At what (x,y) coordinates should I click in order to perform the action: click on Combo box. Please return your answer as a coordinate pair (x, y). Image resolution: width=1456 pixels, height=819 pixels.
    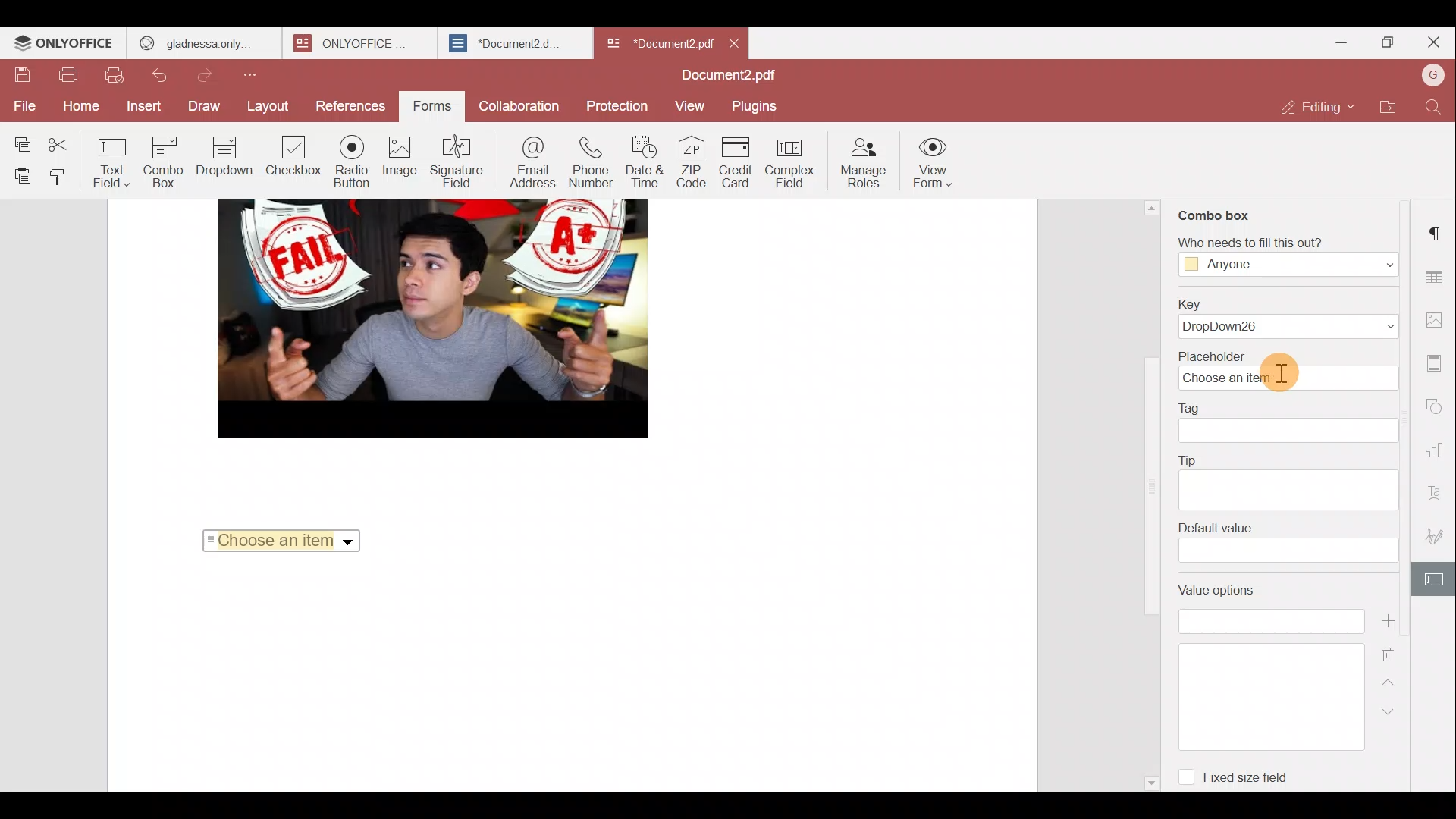
    Looking at the image, I should click on (169, 162).